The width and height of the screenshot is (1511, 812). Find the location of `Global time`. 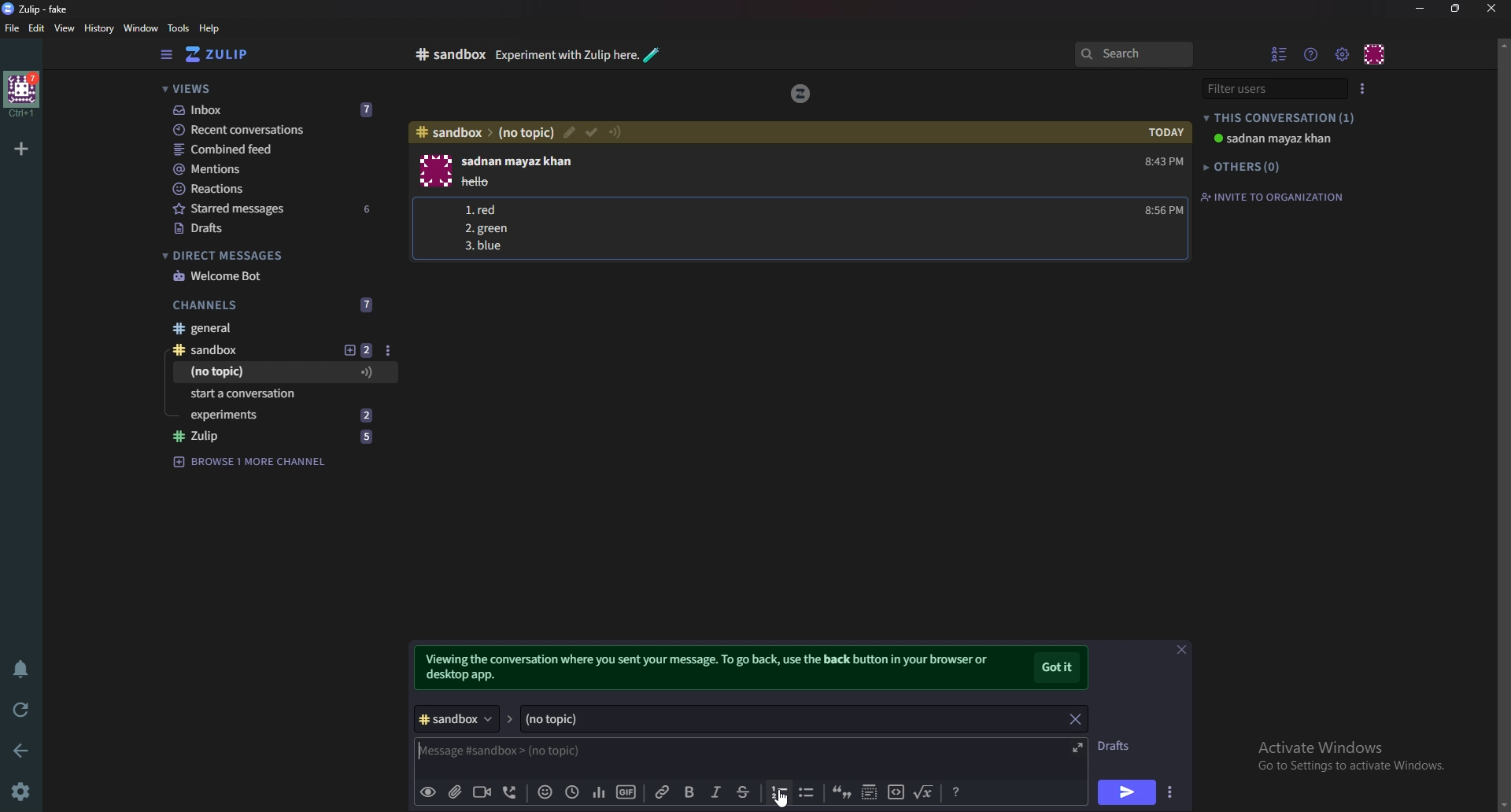

Global time is located at coordinates (571, 791).